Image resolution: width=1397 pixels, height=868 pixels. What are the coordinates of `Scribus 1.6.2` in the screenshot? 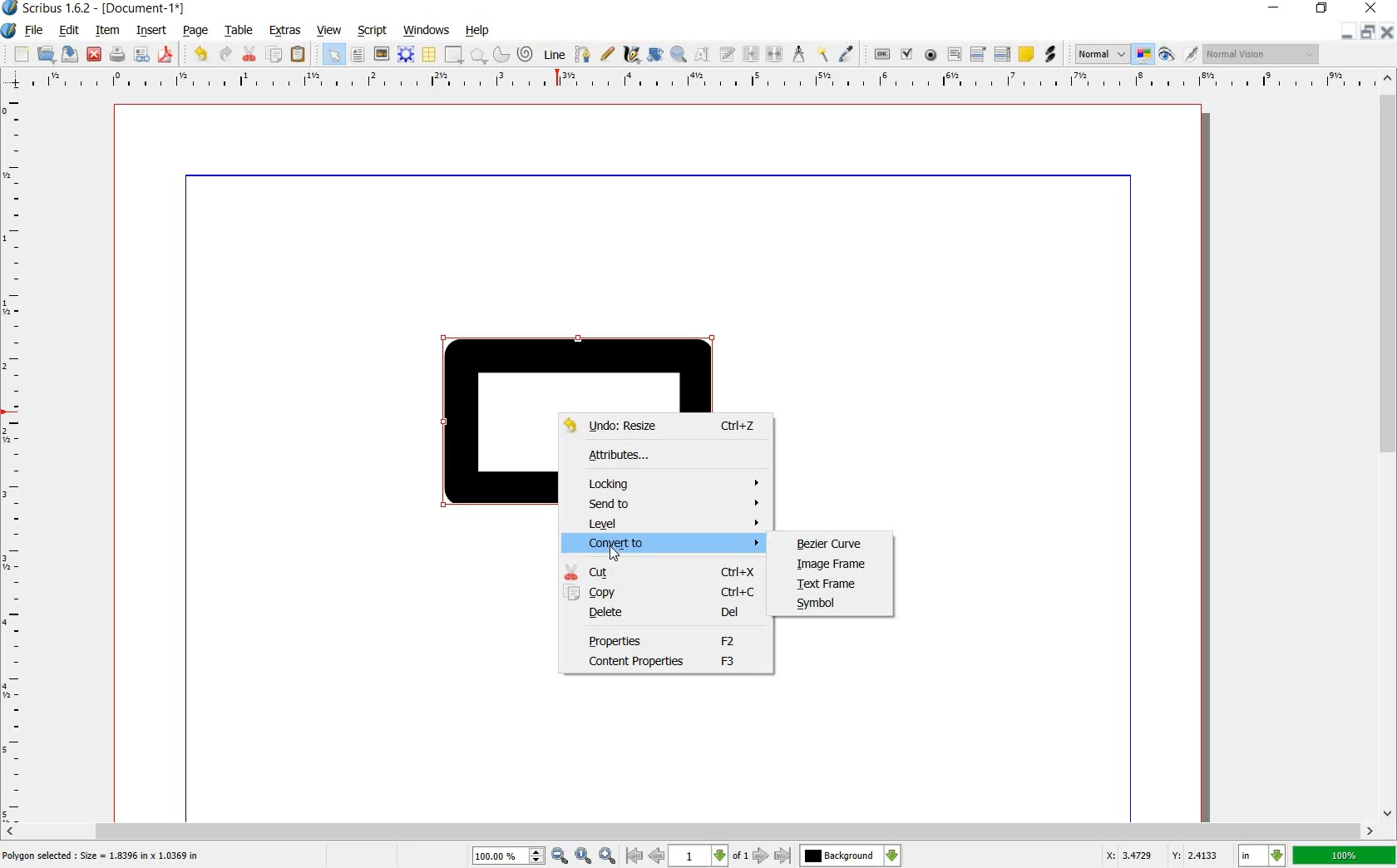 It's located at (47, 8).